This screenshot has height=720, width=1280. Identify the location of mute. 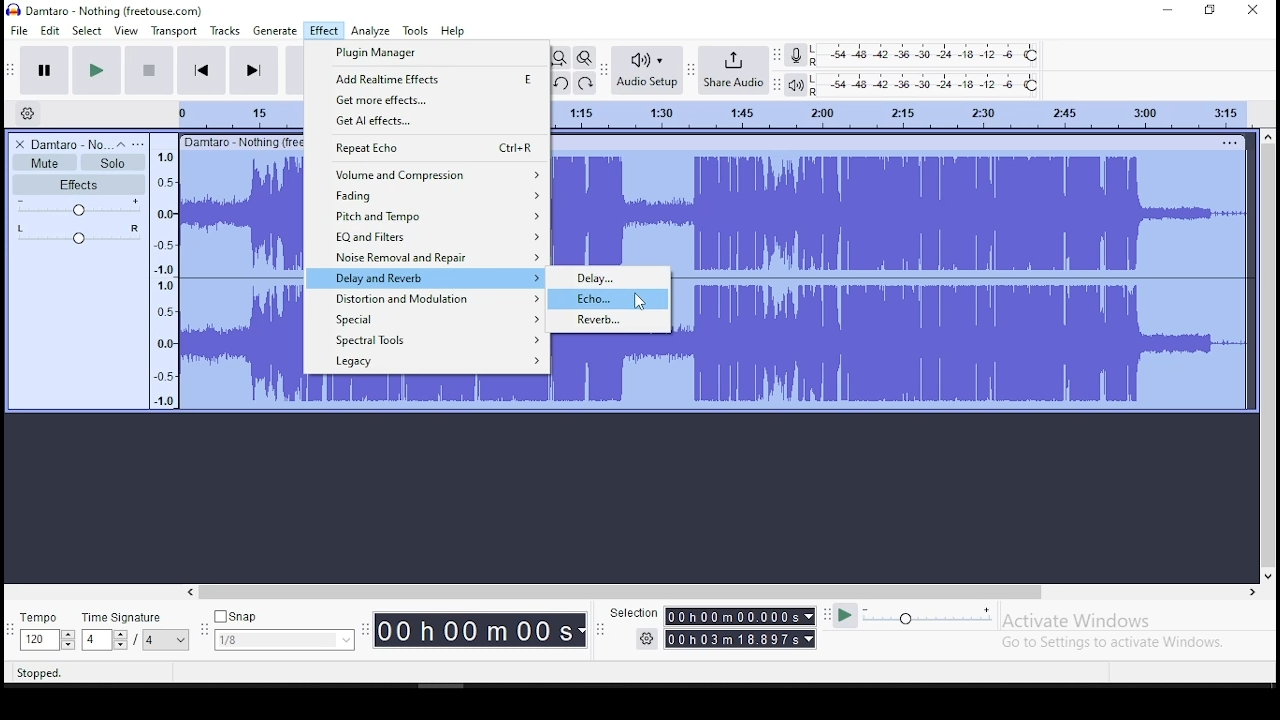
(45, 162).